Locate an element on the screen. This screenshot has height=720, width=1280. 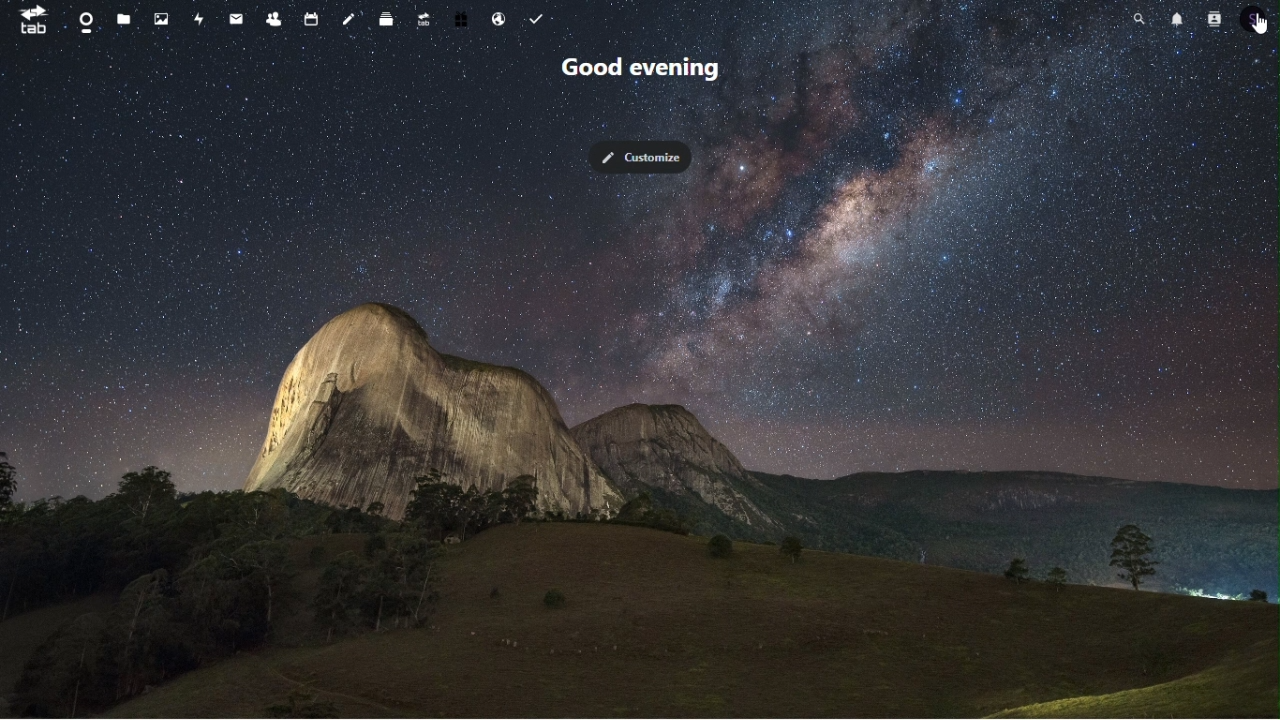
cursor is located at coordinates (1259, 23).